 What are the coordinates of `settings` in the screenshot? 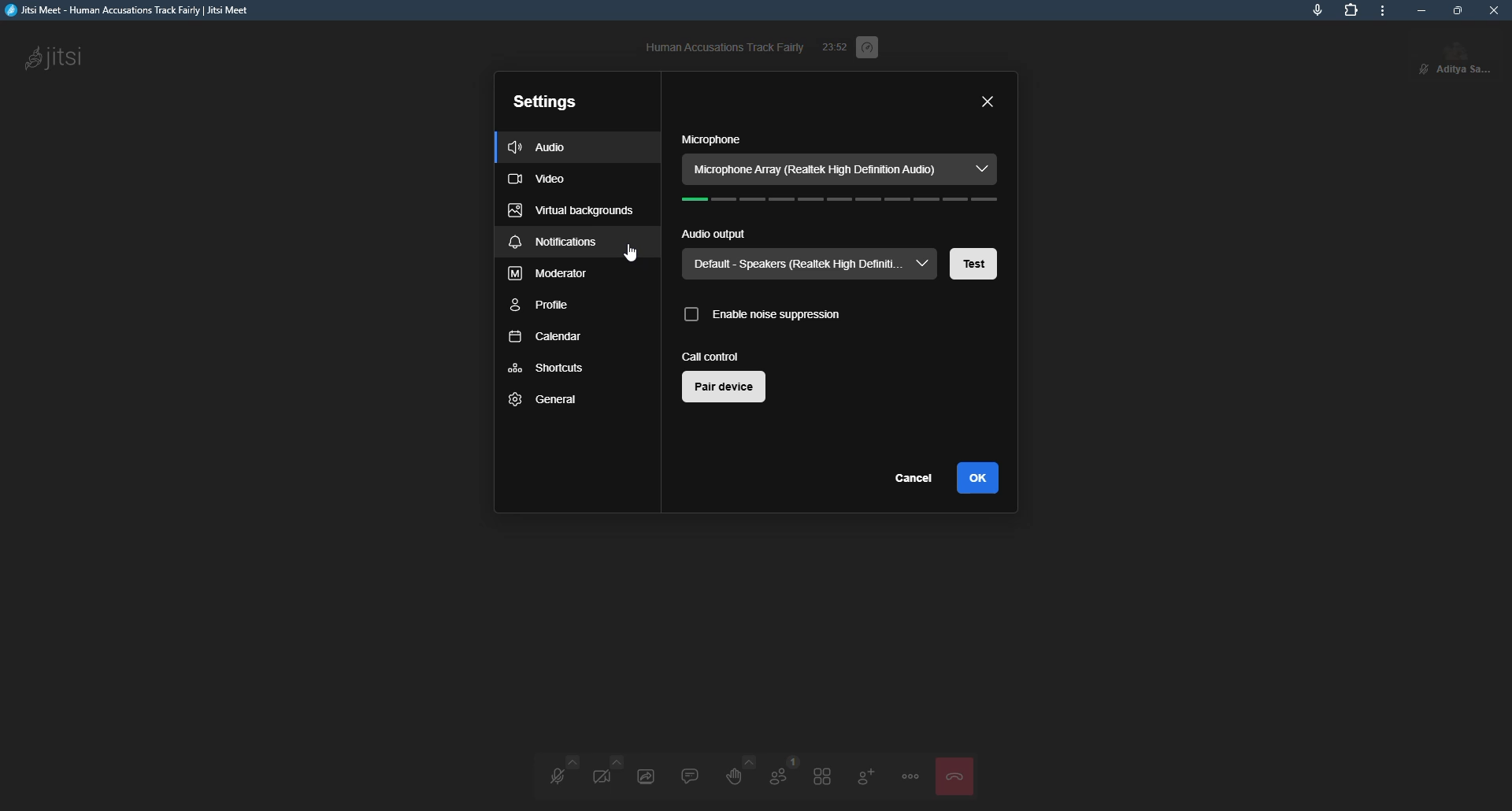 It's located at (543, 104).